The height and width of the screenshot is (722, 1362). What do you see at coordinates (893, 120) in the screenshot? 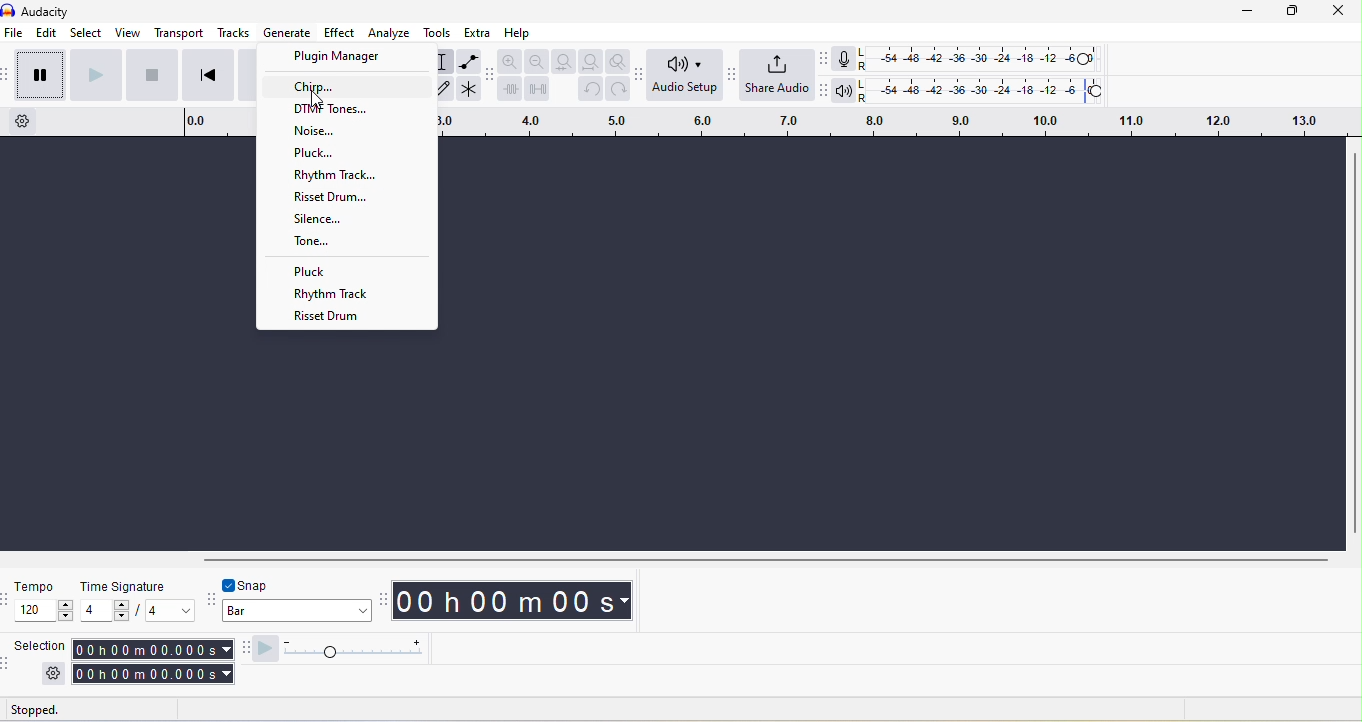
I see `click and drag to define a looping region` at bounding box center [893, 120].